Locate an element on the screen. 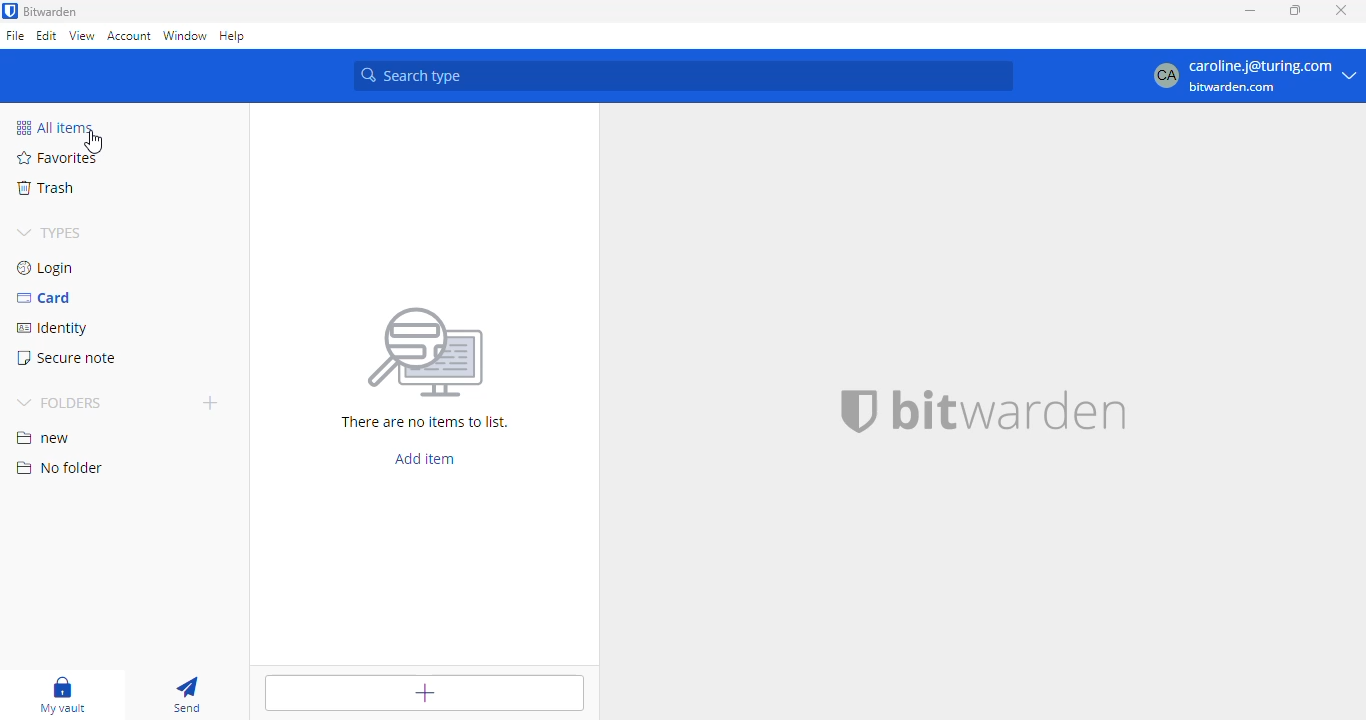 This screenshot has width=1366, height=720. maximize is located at coordinates (1293, 10).